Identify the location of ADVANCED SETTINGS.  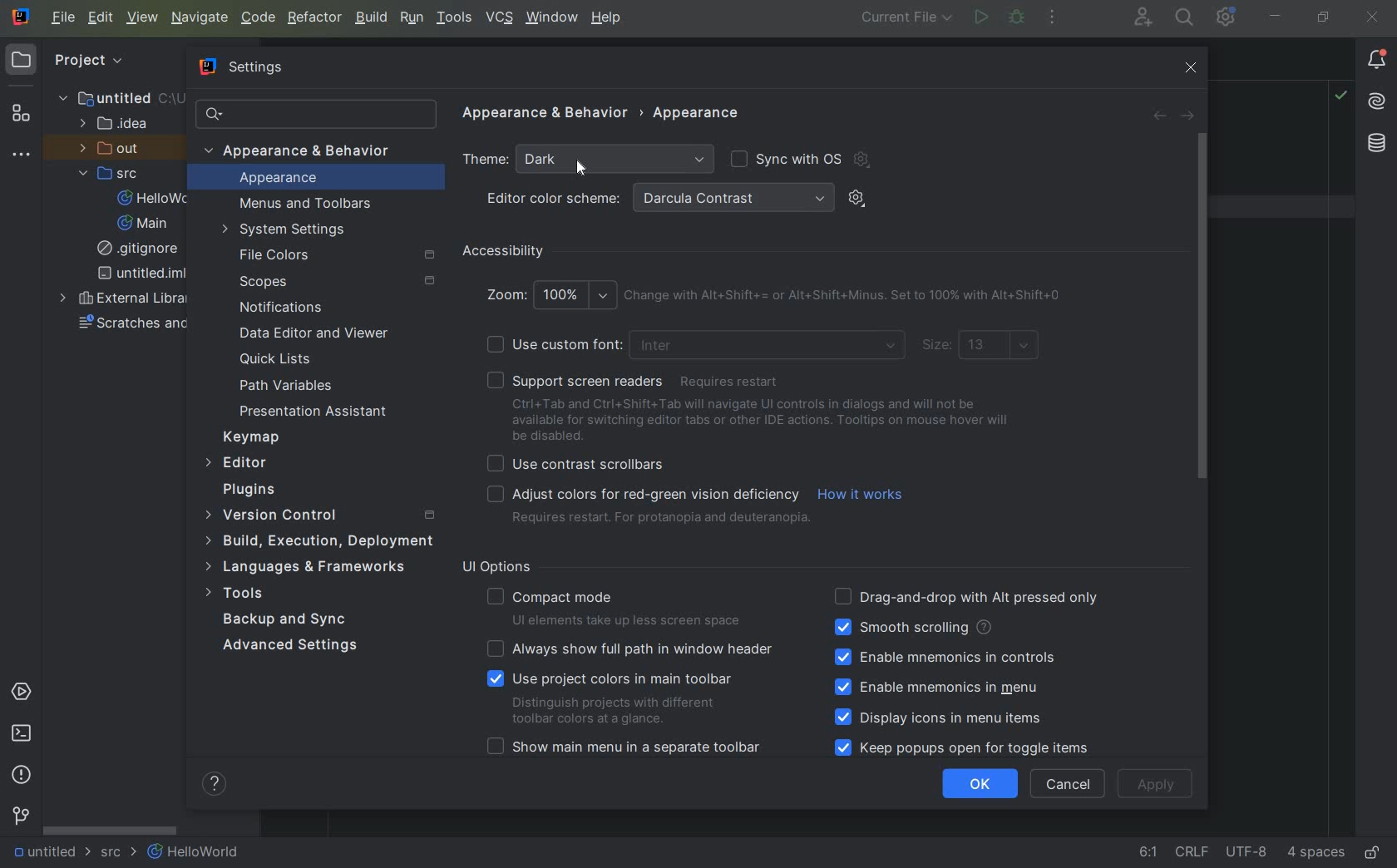
(289, 649).